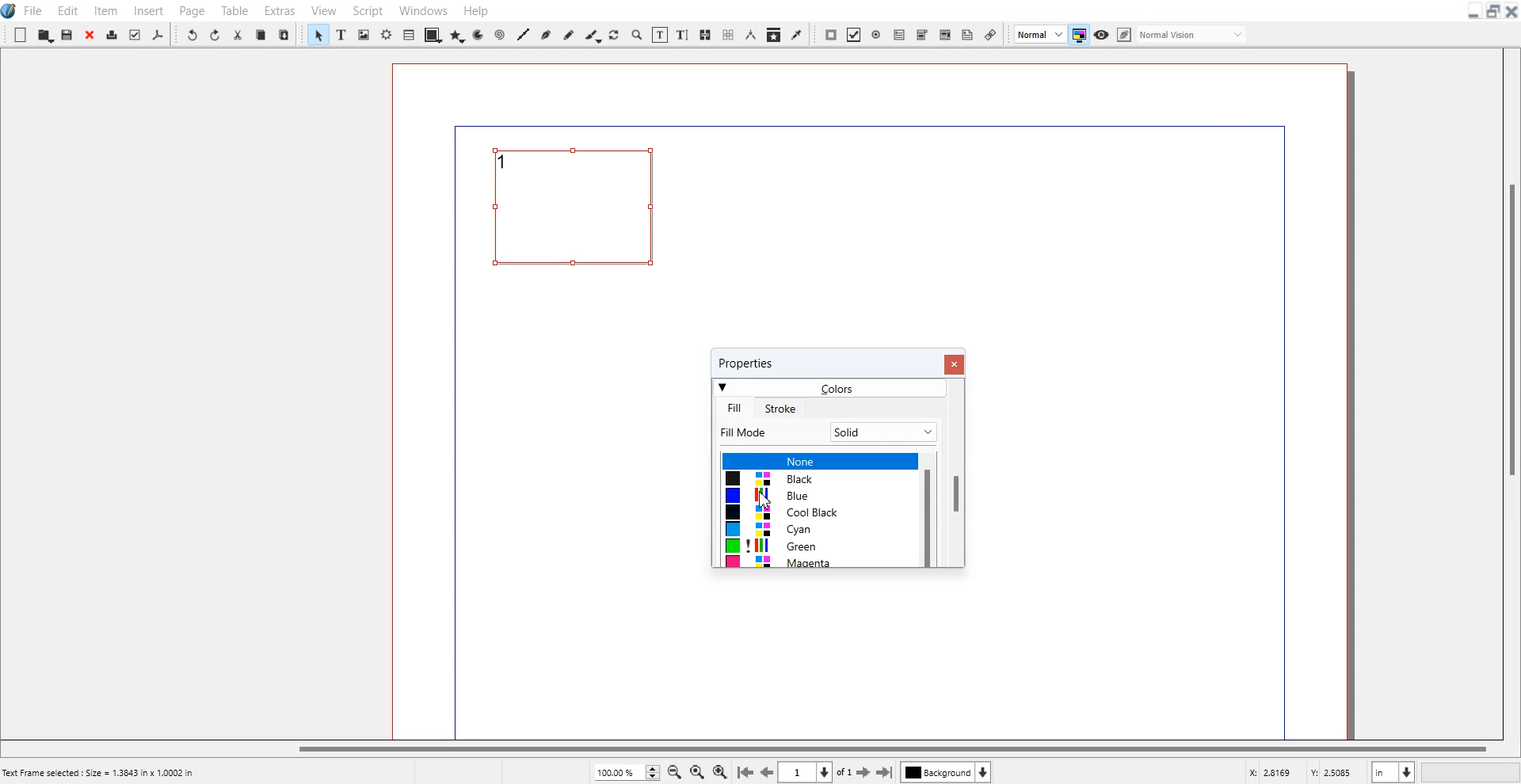  Describe the element at coordinates (409, 34) in the screenshot. I see `Table` at that location.